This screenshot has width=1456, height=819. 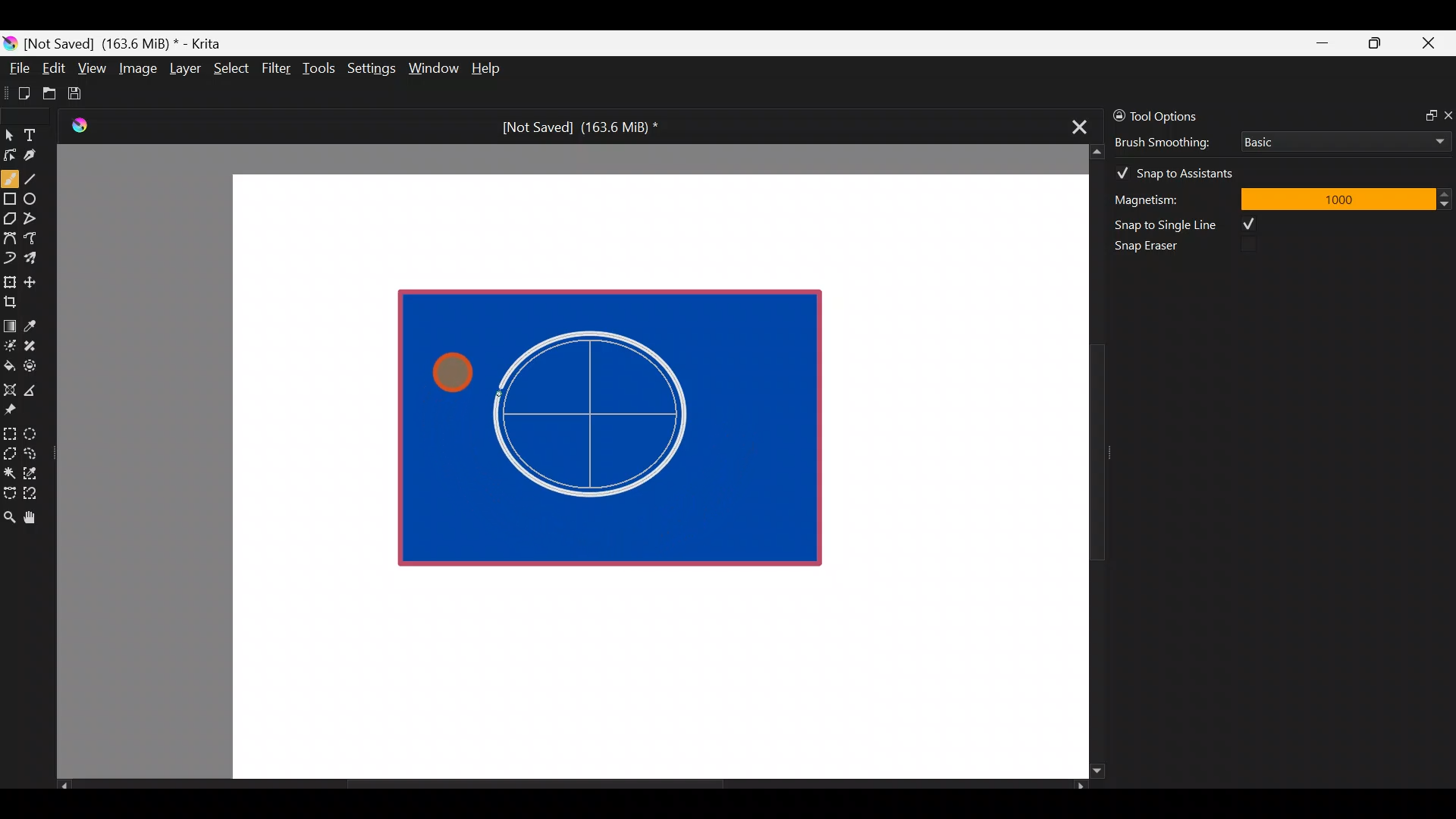 What do you see at coordinates (1424, 114) in the screenshot?
I see `Float docker` at bounding box center [1424, 114].